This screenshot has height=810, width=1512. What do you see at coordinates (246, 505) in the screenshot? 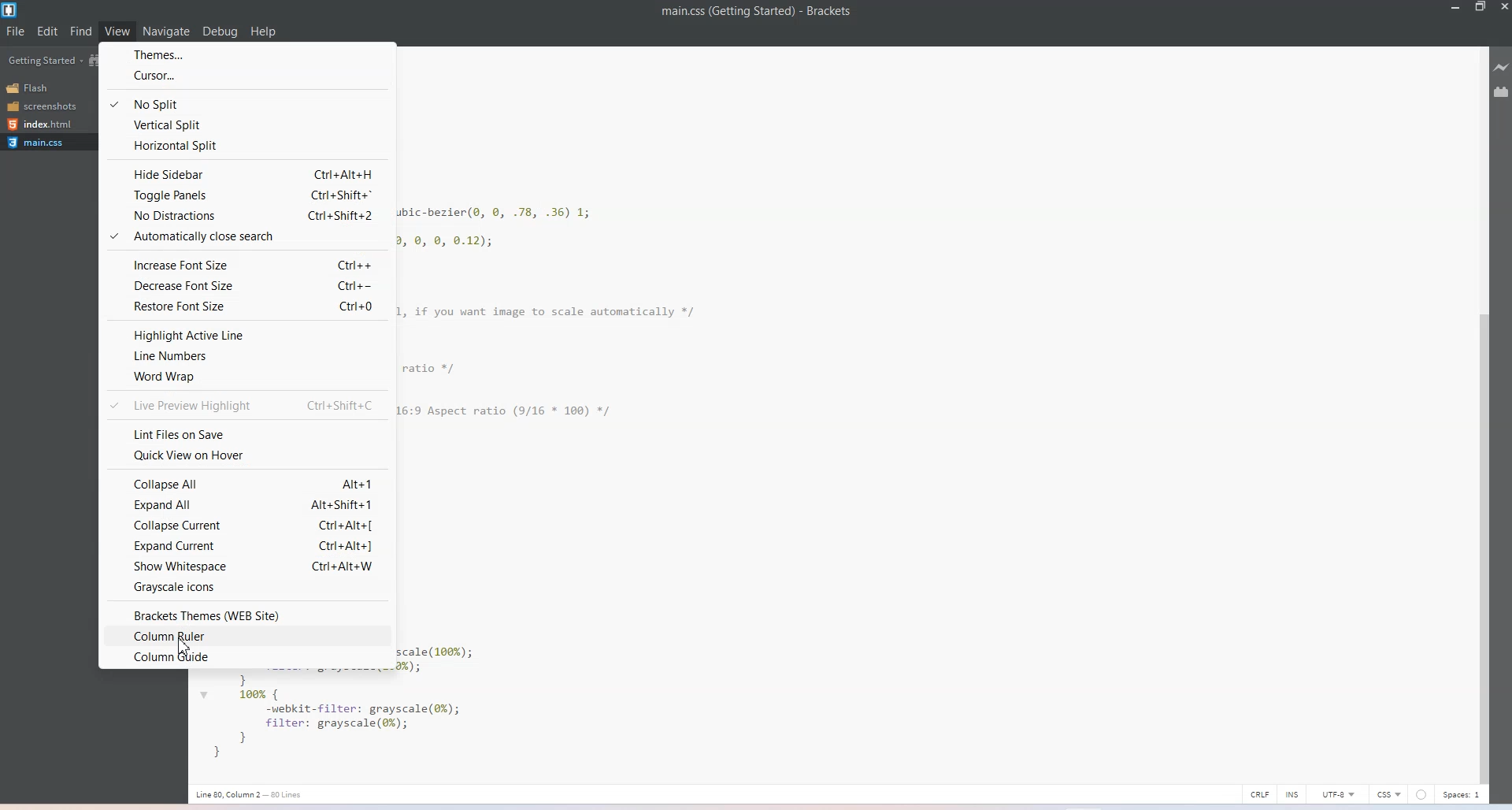
I see `Expand all` at bounding box center [246, 505].